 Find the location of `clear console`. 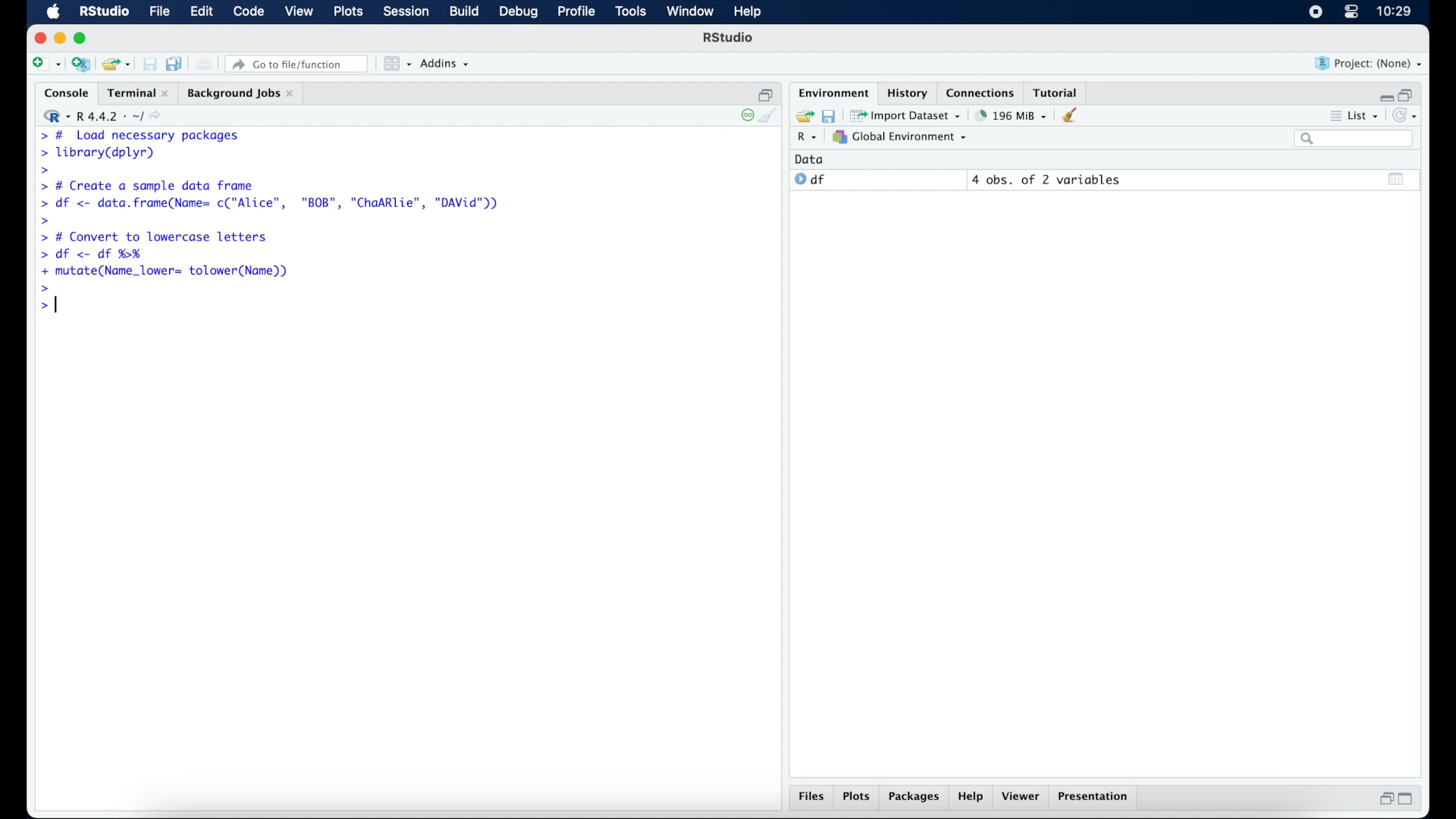

clear console is located at coordinates (770, 117).